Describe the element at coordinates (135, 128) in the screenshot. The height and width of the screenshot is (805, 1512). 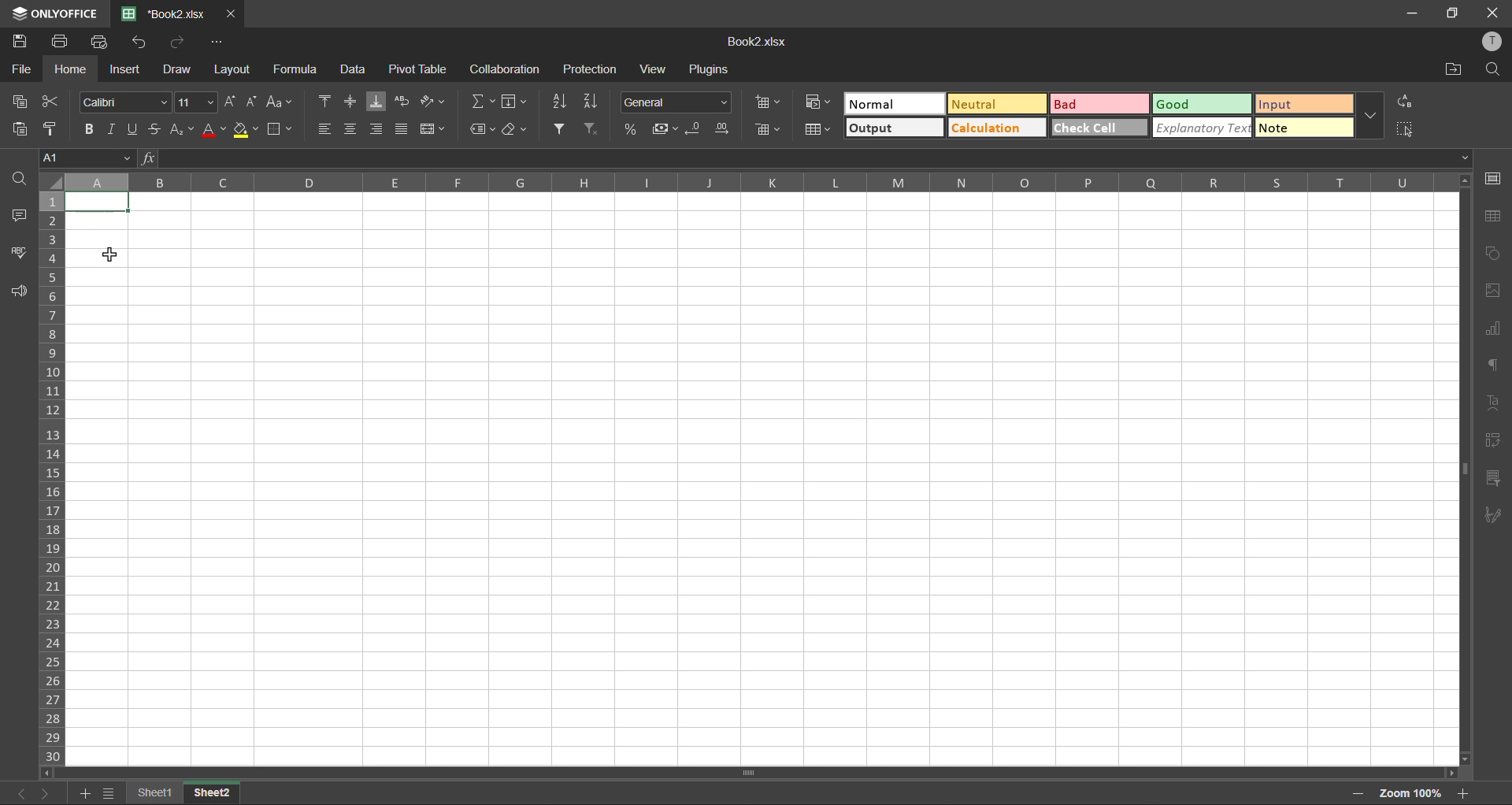
I see `underline` at that location.